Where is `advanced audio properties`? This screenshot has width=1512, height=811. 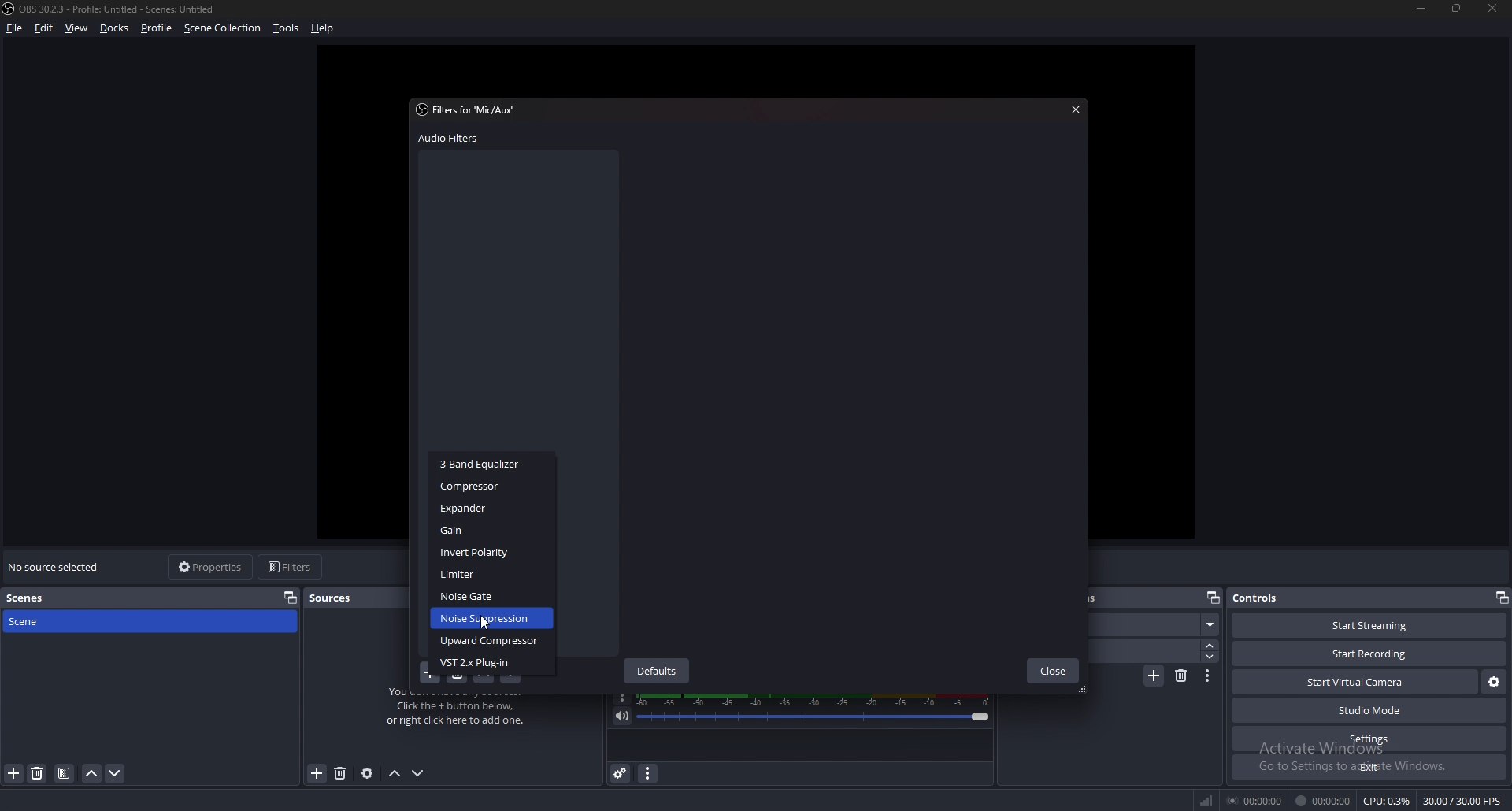
advanced audio properties is located at coordinates (621, 773).